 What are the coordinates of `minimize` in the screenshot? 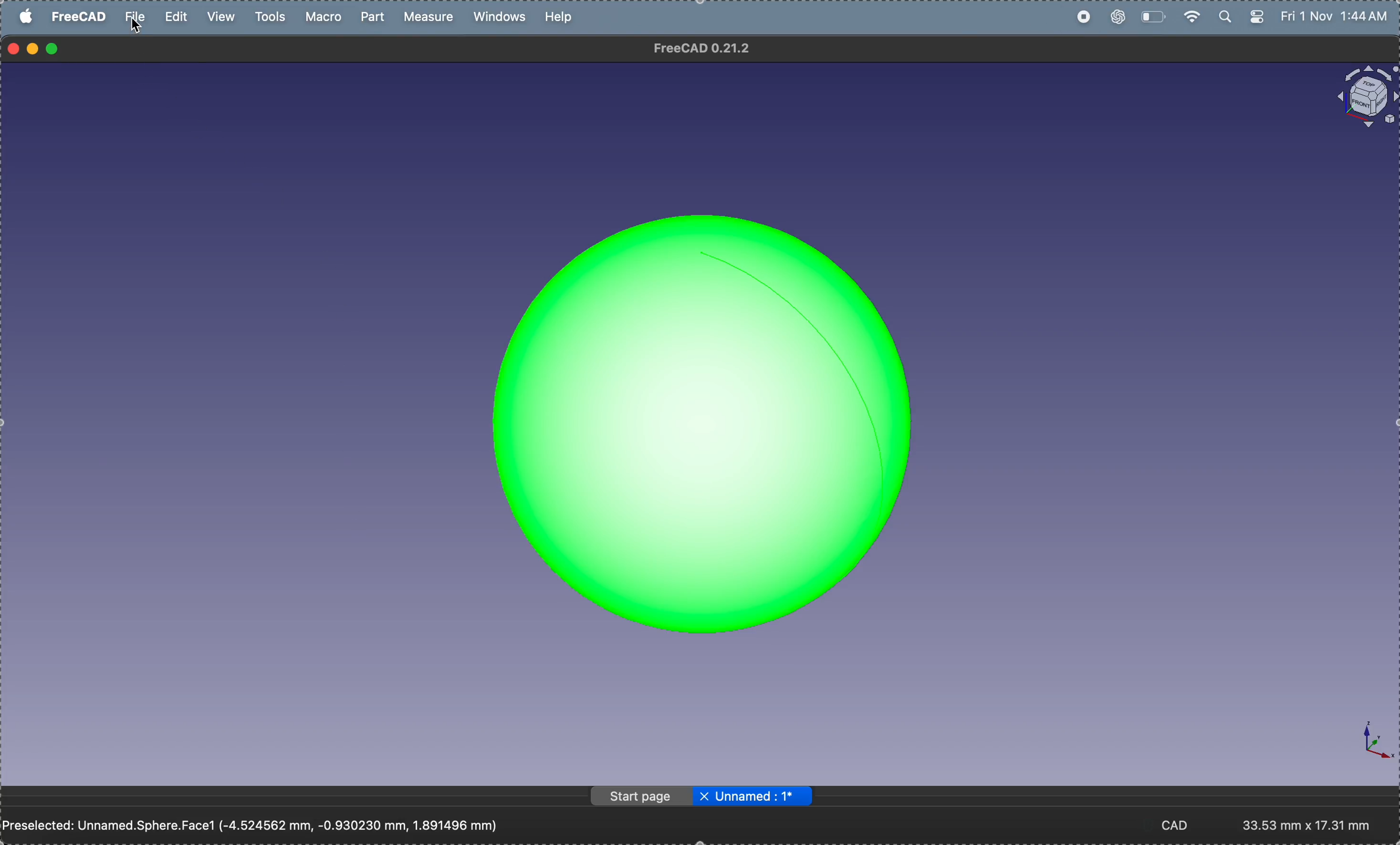 It's located at (33, 48).